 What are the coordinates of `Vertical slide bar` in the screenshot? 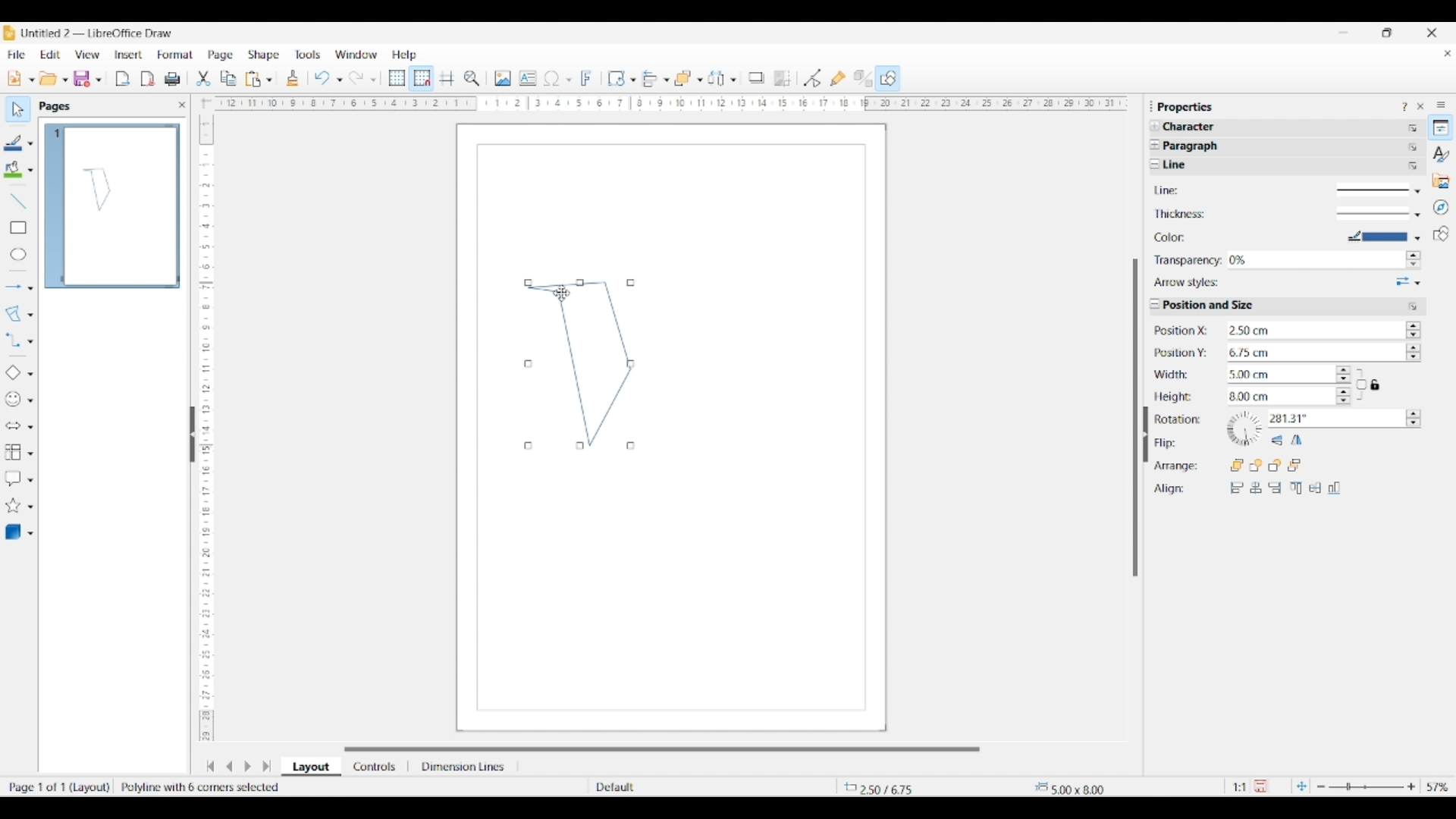 It's located at (1135, 418).